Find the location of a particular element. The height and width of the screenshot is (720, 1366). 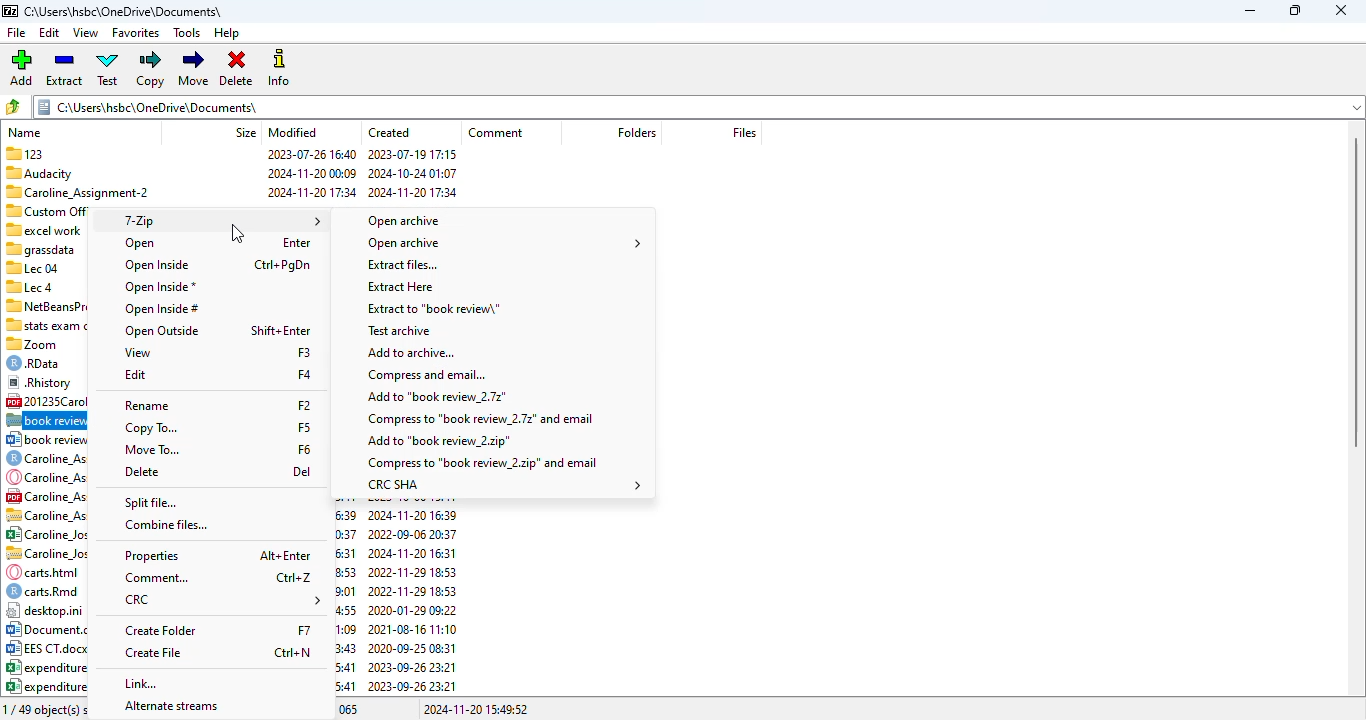

065 is located at coordinates (351, 710).